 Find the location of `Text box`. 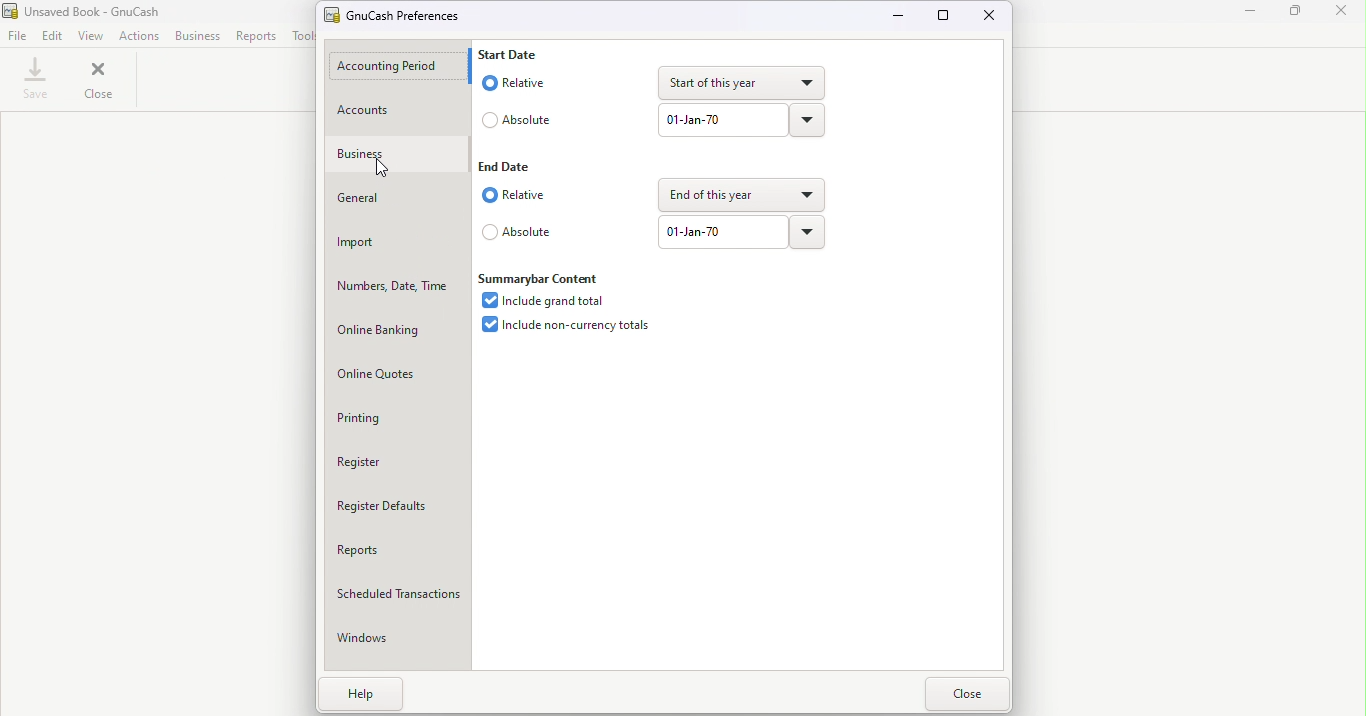

Text box is located at coordinates (725, 232).